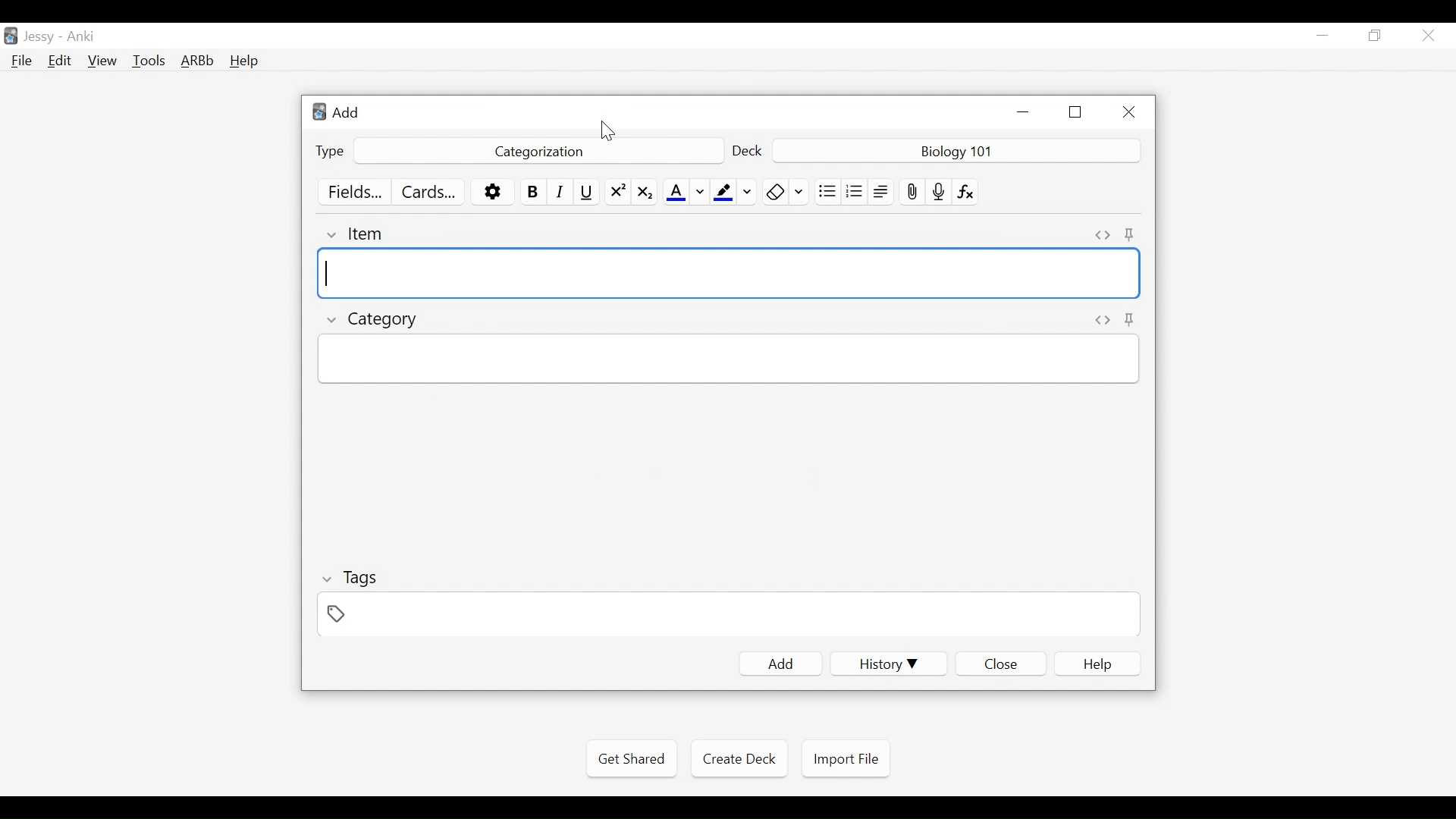  What do you see at coordinates (563, 191) in the screenshot?
I see `Italics` at bounding box center [563, 191].